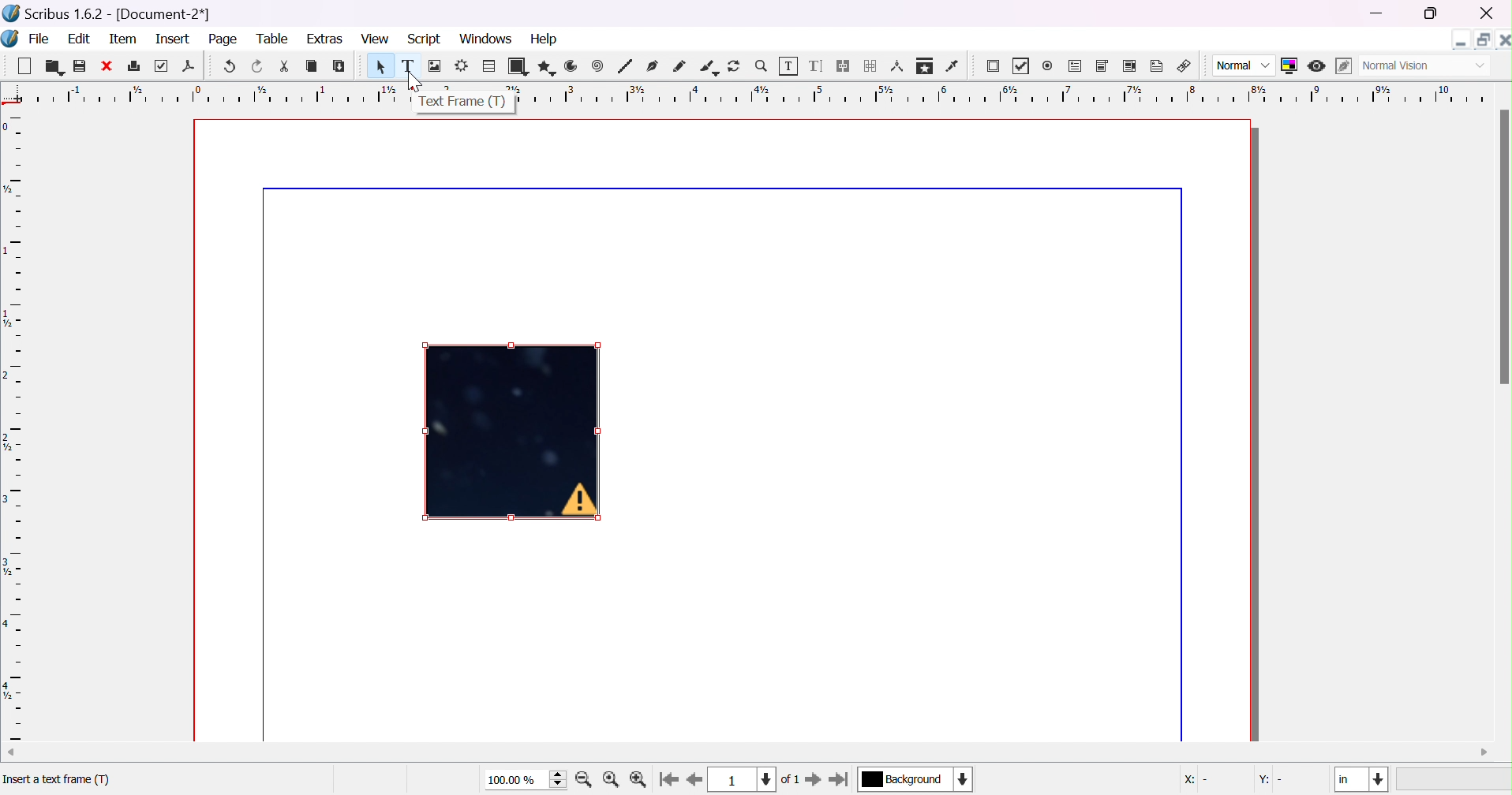 The height and width of the screenshot is (795, 1512). What do you see at coordinates (283, 66) in the screenshot?
I see `cut` at bounding box center [283, 66].